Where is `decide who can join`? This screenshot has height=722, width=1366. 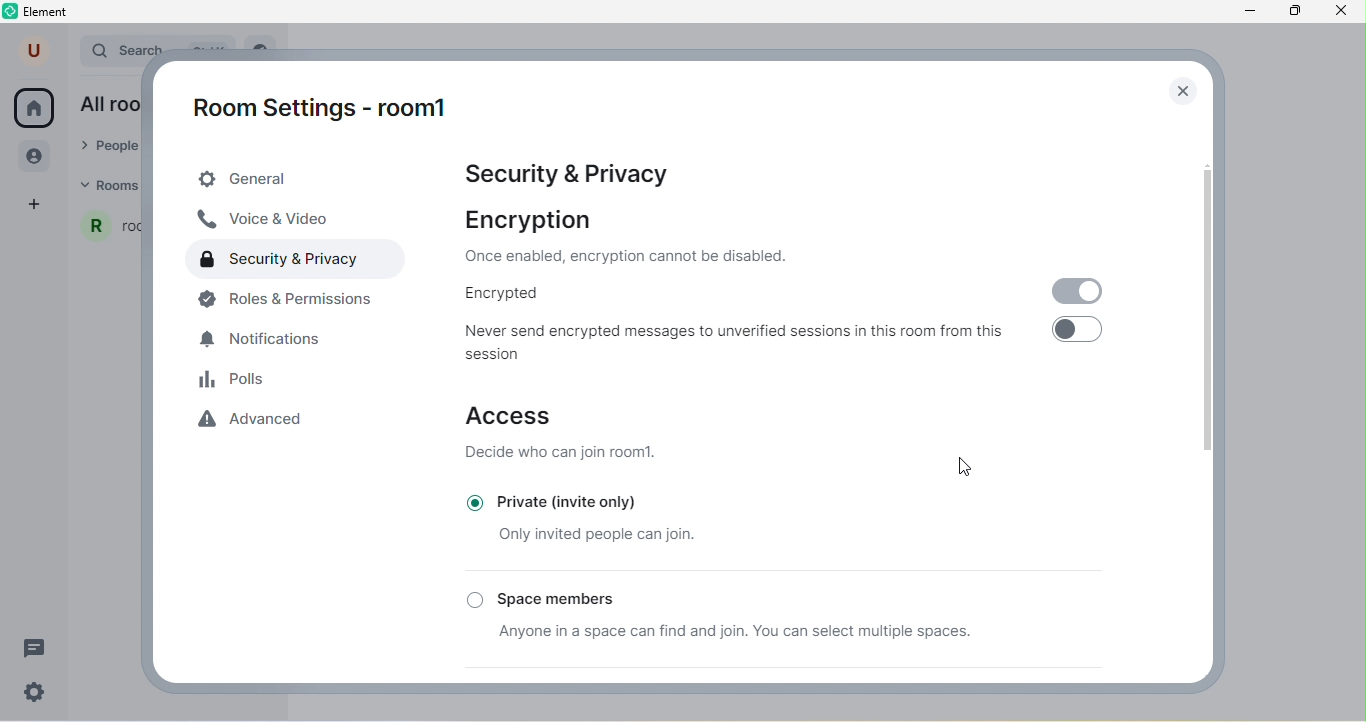 decide who can join is located at coordinates (563, 457).